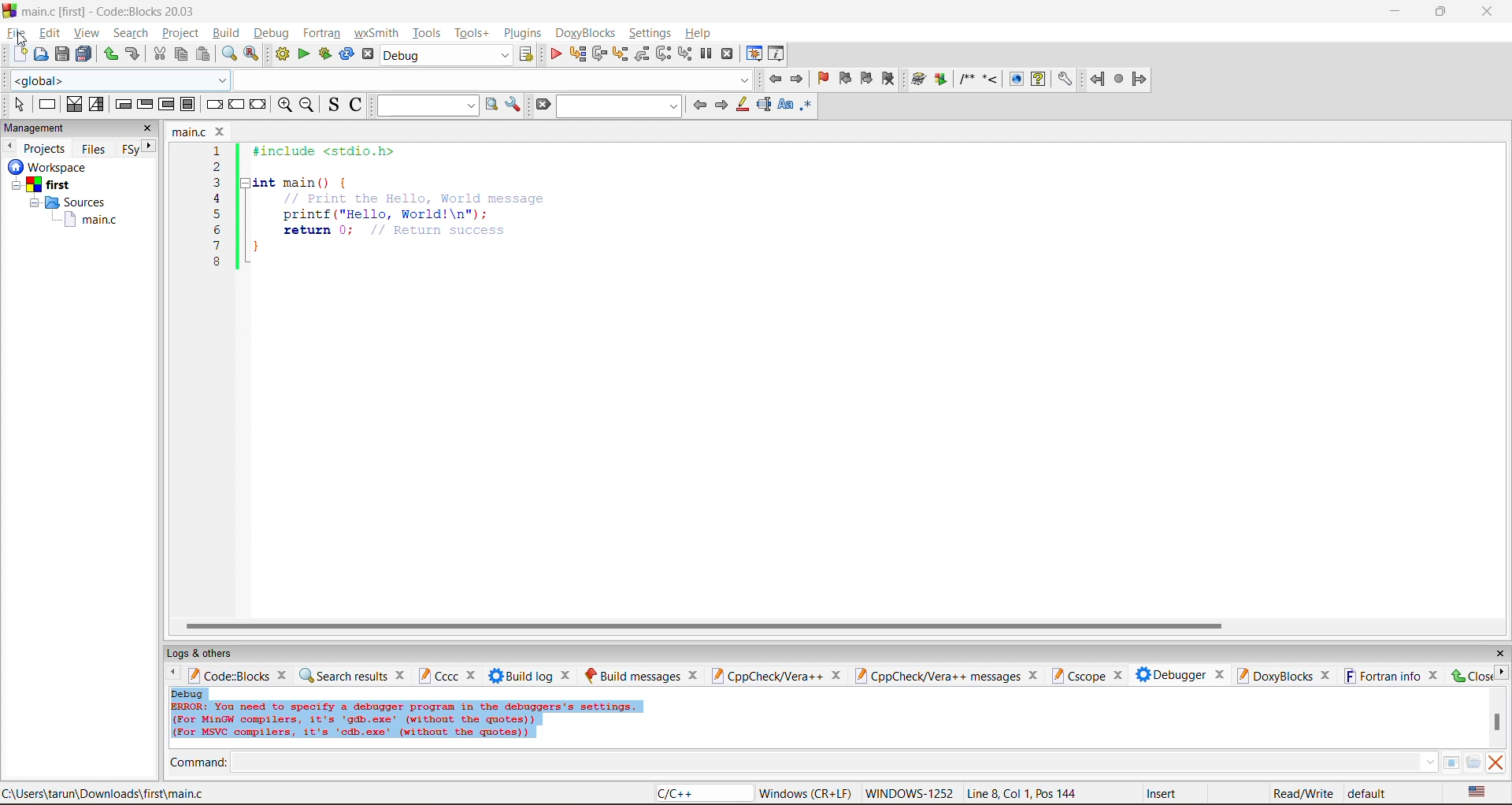  What do you see at coordinates (131, 32) in the screenshot?
I see `search` at bounding box center [131, 32].